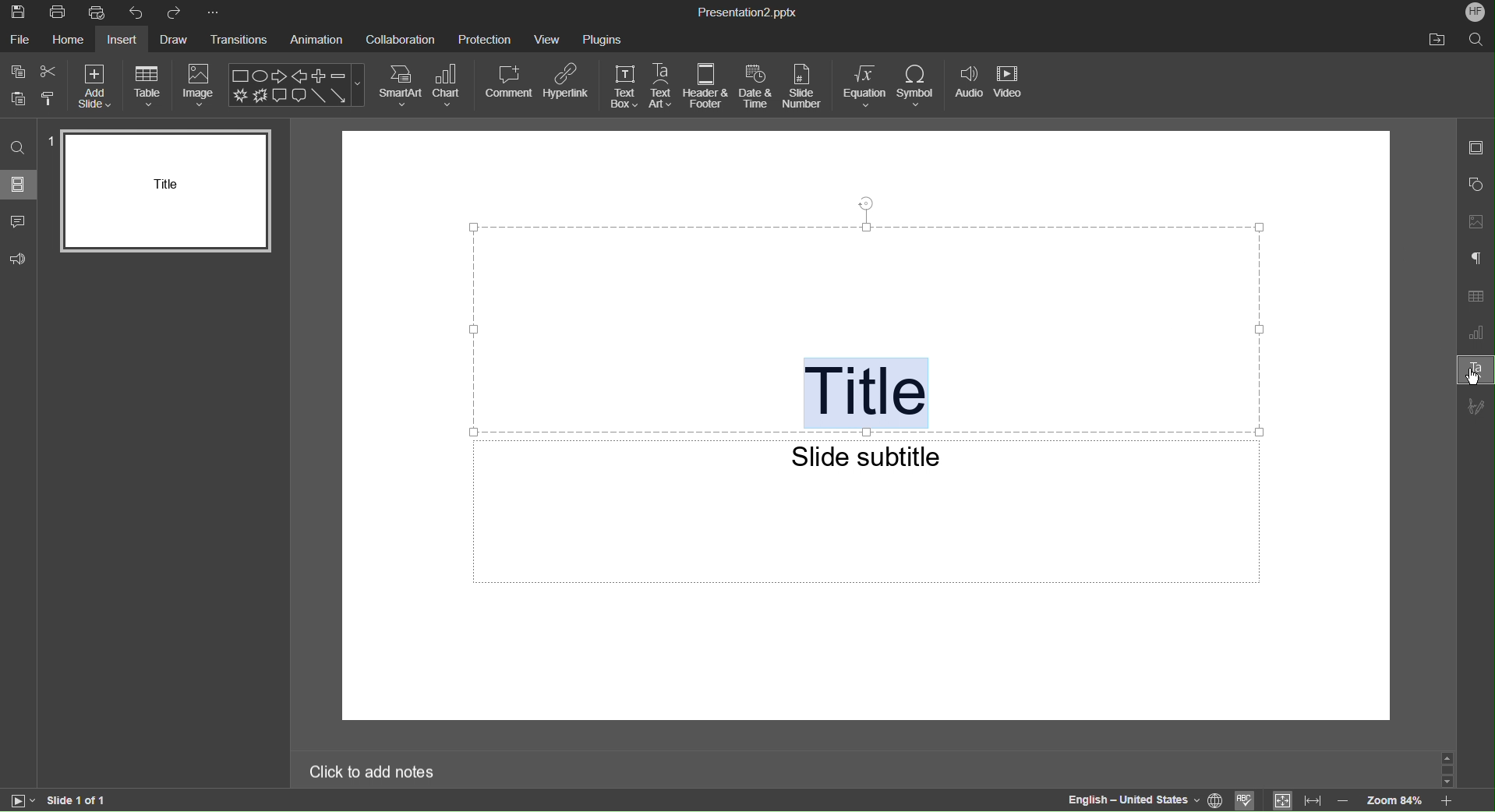 This screenshot has width=1495, height=812. What do you see at coordinates (624, 86) in the screenshot?
I see `Text Box` at bounding box center [624, 86].